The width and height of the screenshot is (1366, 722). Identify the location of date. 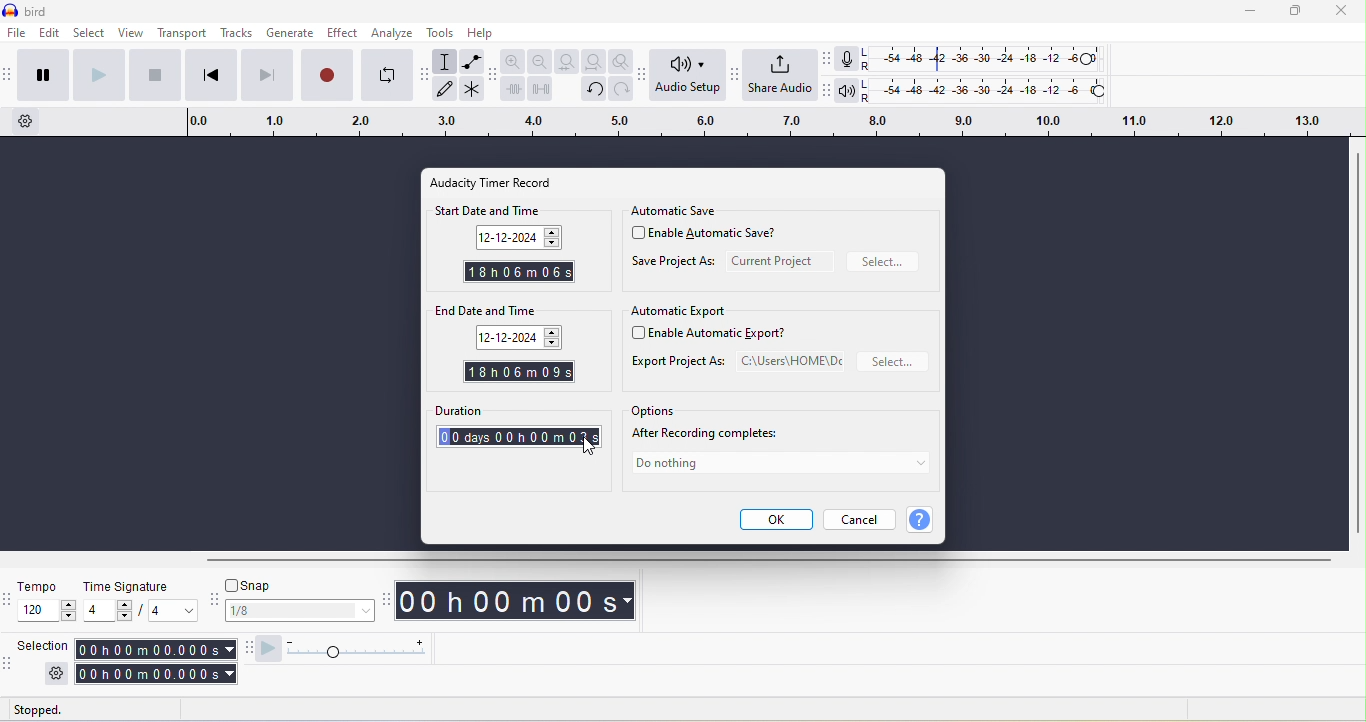
(516, 238).